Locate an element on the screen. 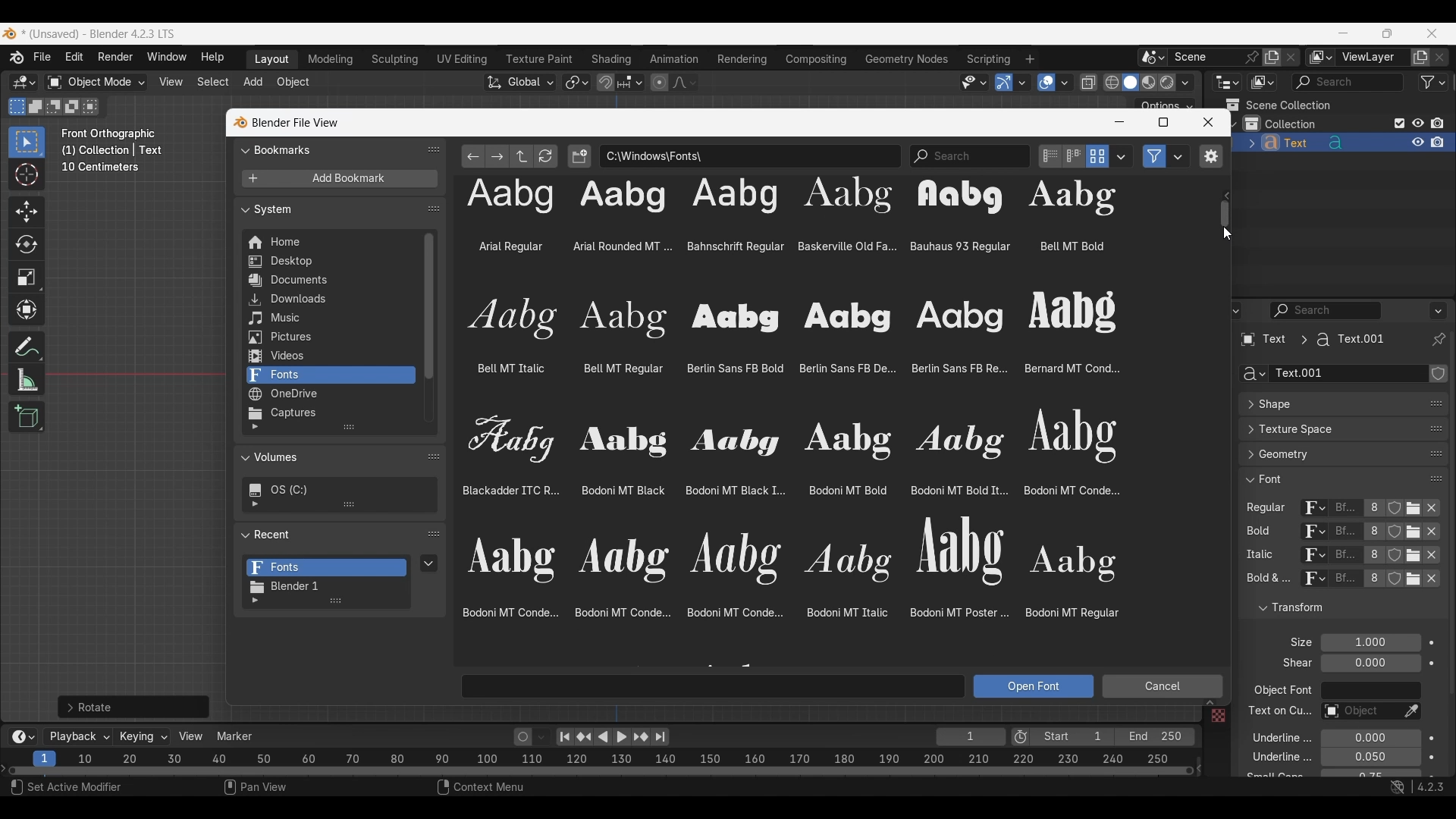  Snapping options is located at coordinates (632, 82).